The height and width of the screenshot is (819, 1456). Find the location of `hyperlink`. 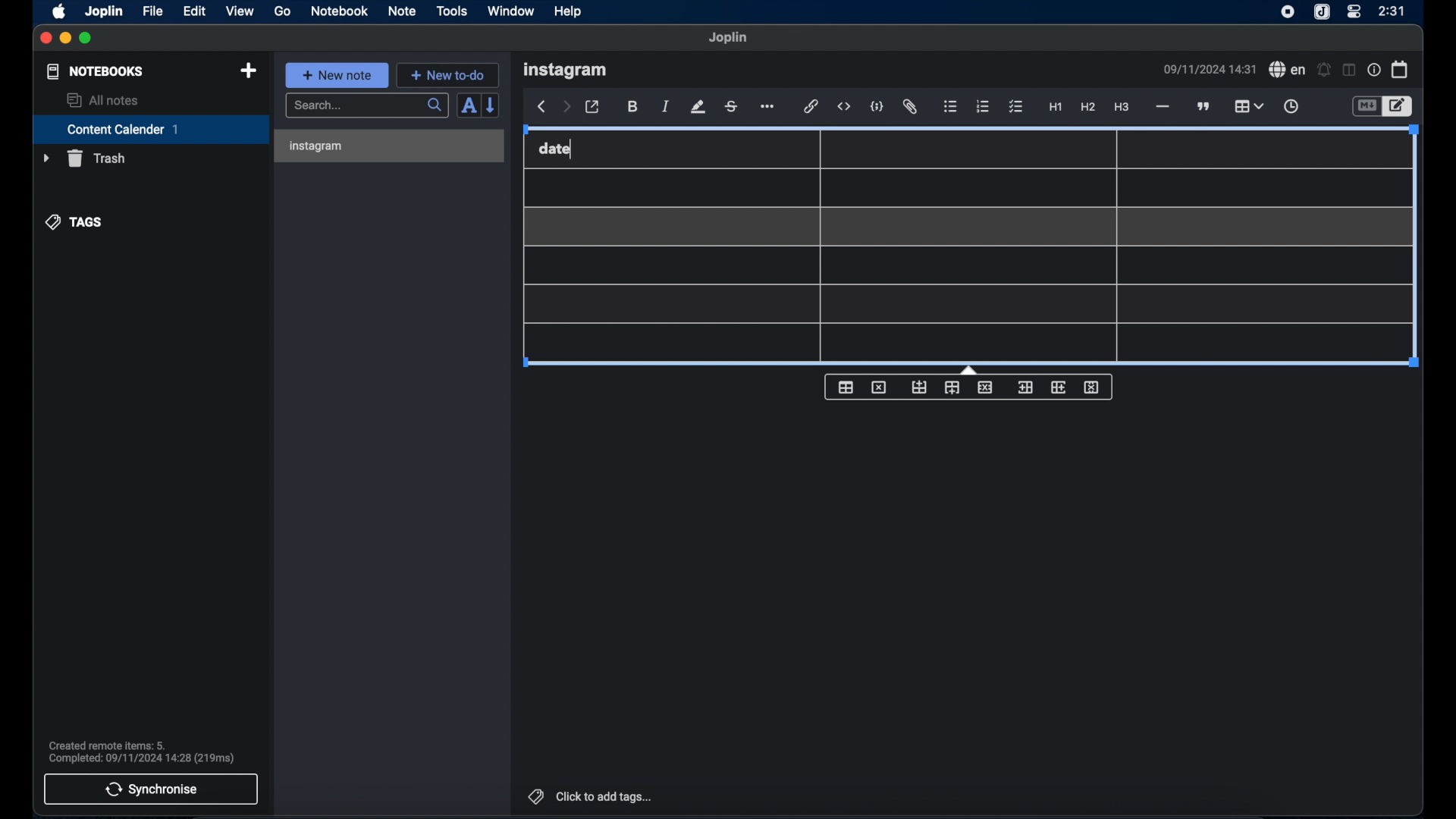

hyperlink is located at coordinates (810, 105).